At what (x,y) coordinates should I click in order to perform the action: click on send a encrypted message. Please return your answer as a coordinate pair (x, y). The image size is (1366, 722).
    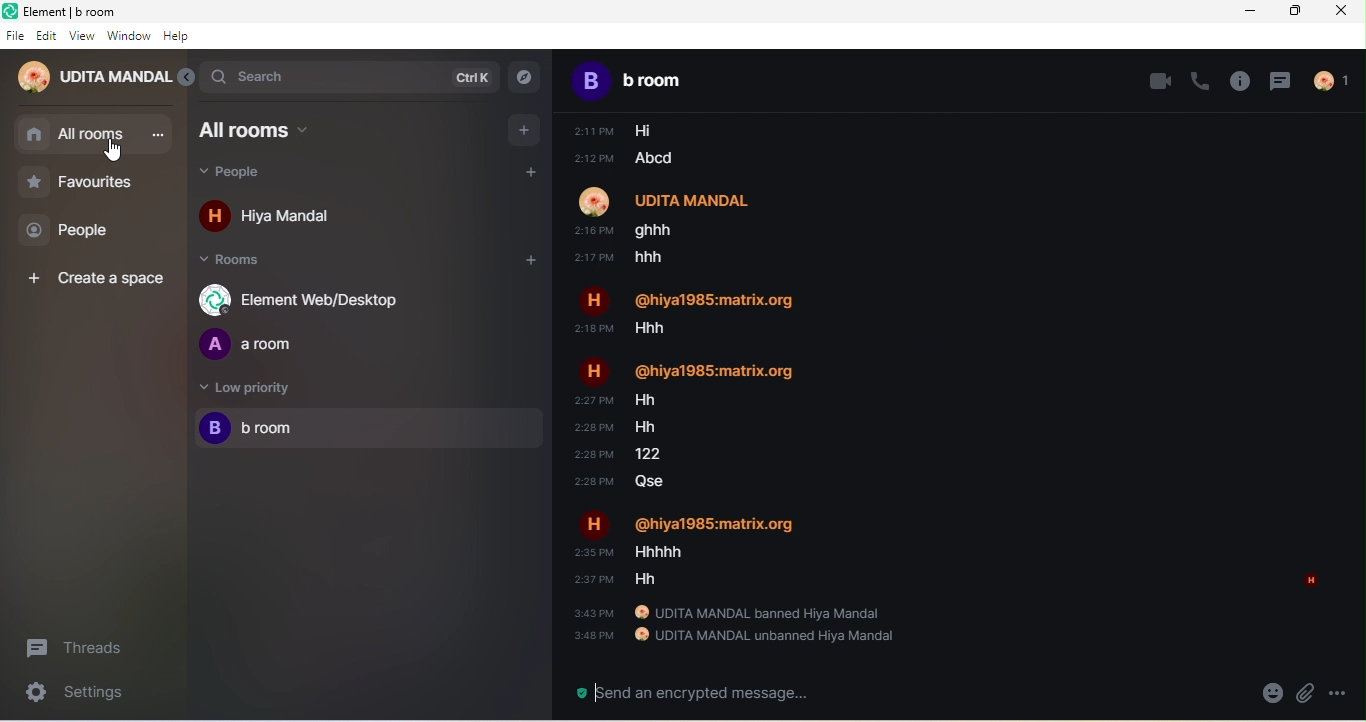
    Looking at the image, I should click on (685, 694).